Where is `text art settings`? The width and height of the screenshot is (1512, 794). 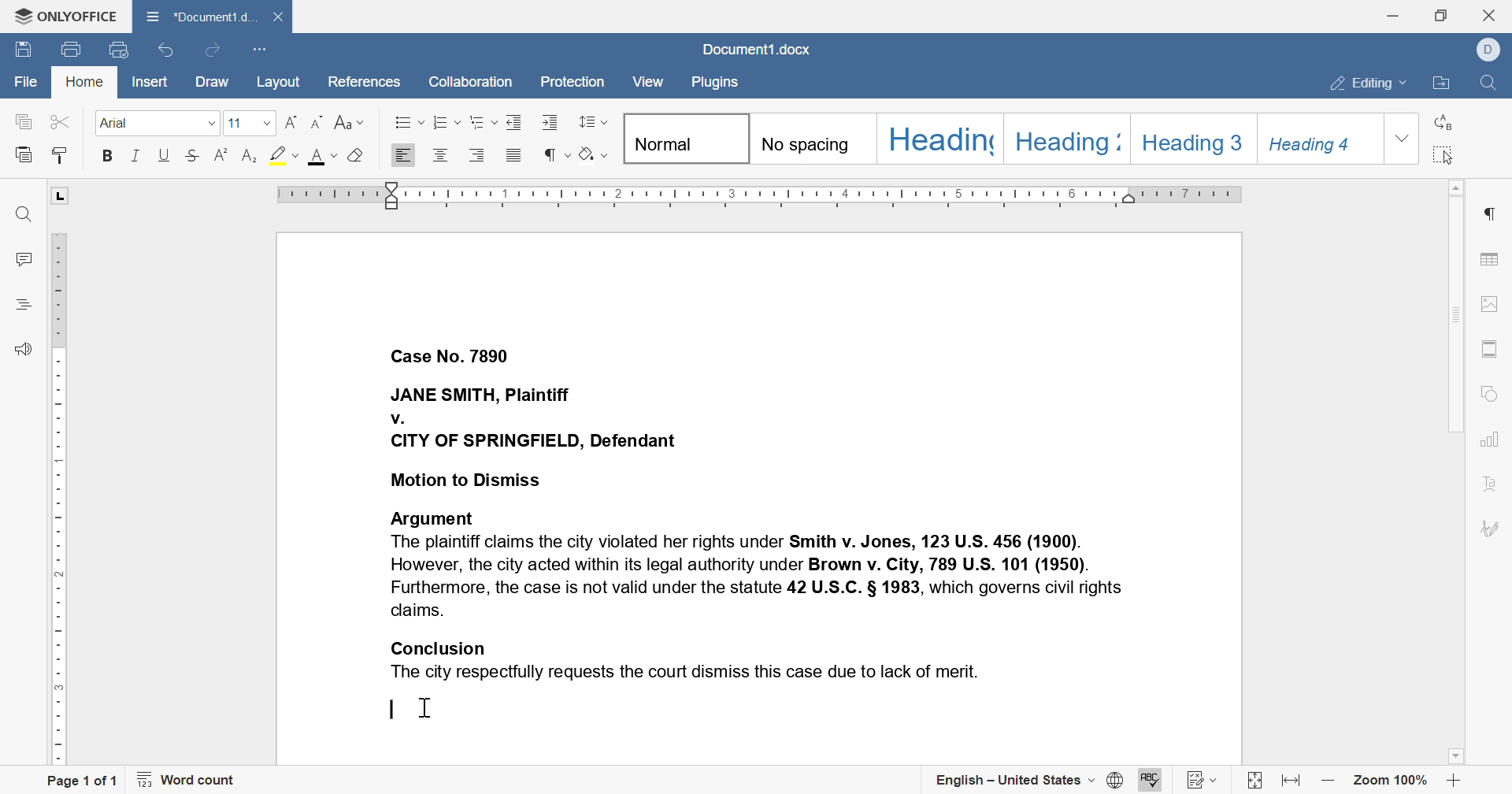 text art settings is located at coordinates (1489, 484).